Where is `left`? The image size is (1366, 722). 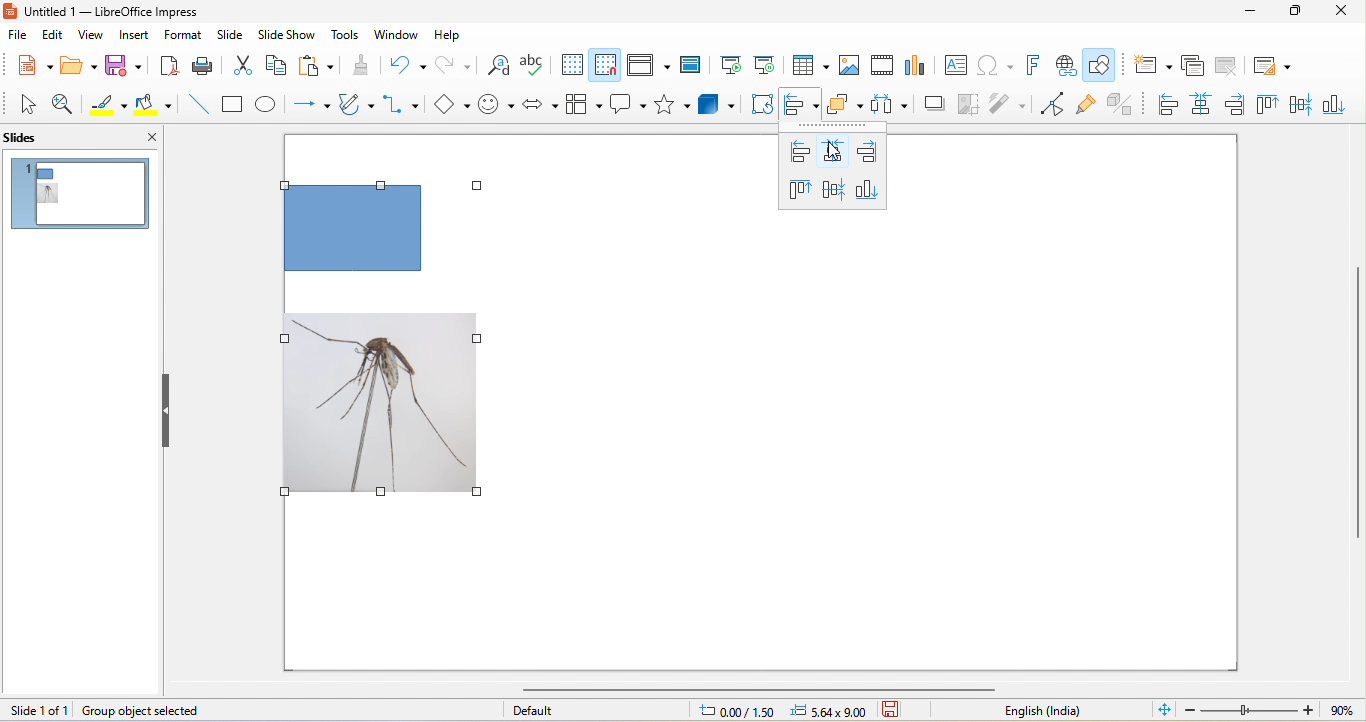 left is located at coordinates (1167, 106).